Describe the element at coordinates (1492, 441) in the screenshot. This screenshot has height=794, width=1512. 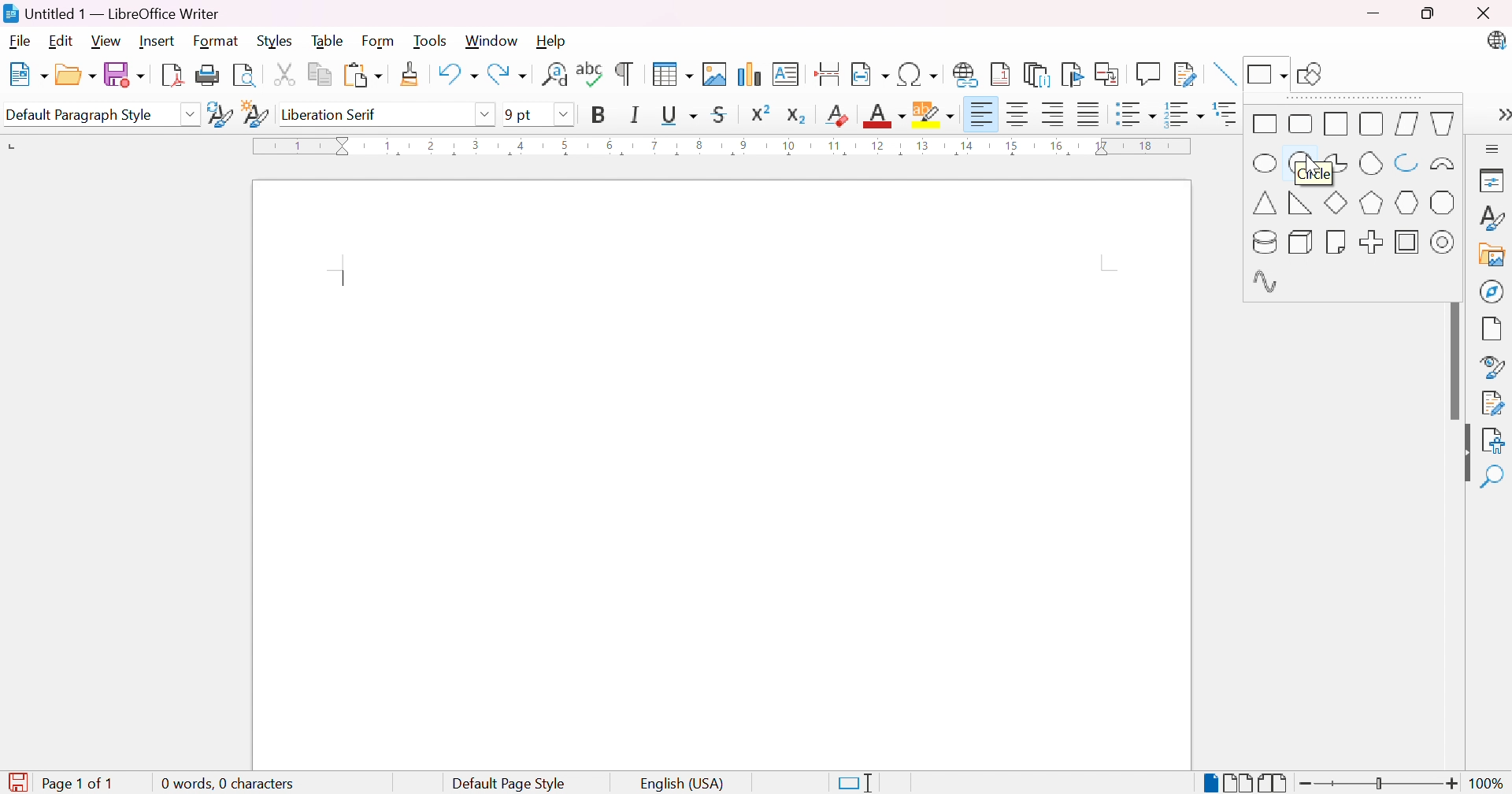
I see `Accessibility check` at that location.